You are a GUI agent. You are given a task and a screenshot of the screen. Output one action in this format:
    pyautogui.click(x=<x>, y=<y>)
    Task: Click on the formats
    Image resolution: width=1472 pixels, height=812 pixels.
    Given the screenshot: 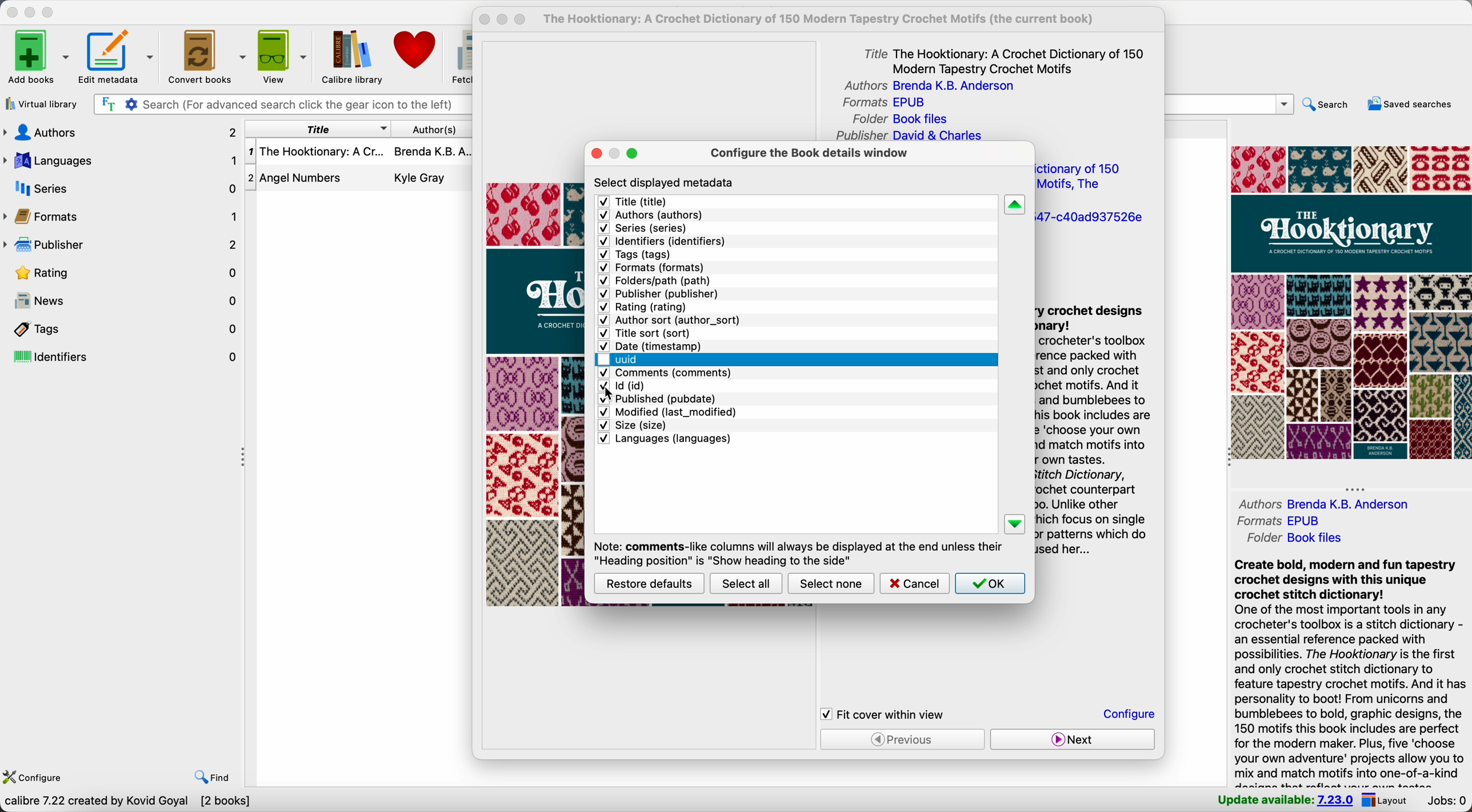 What is the action you would take?
    pyautogui.click(x=883, y=103)
    